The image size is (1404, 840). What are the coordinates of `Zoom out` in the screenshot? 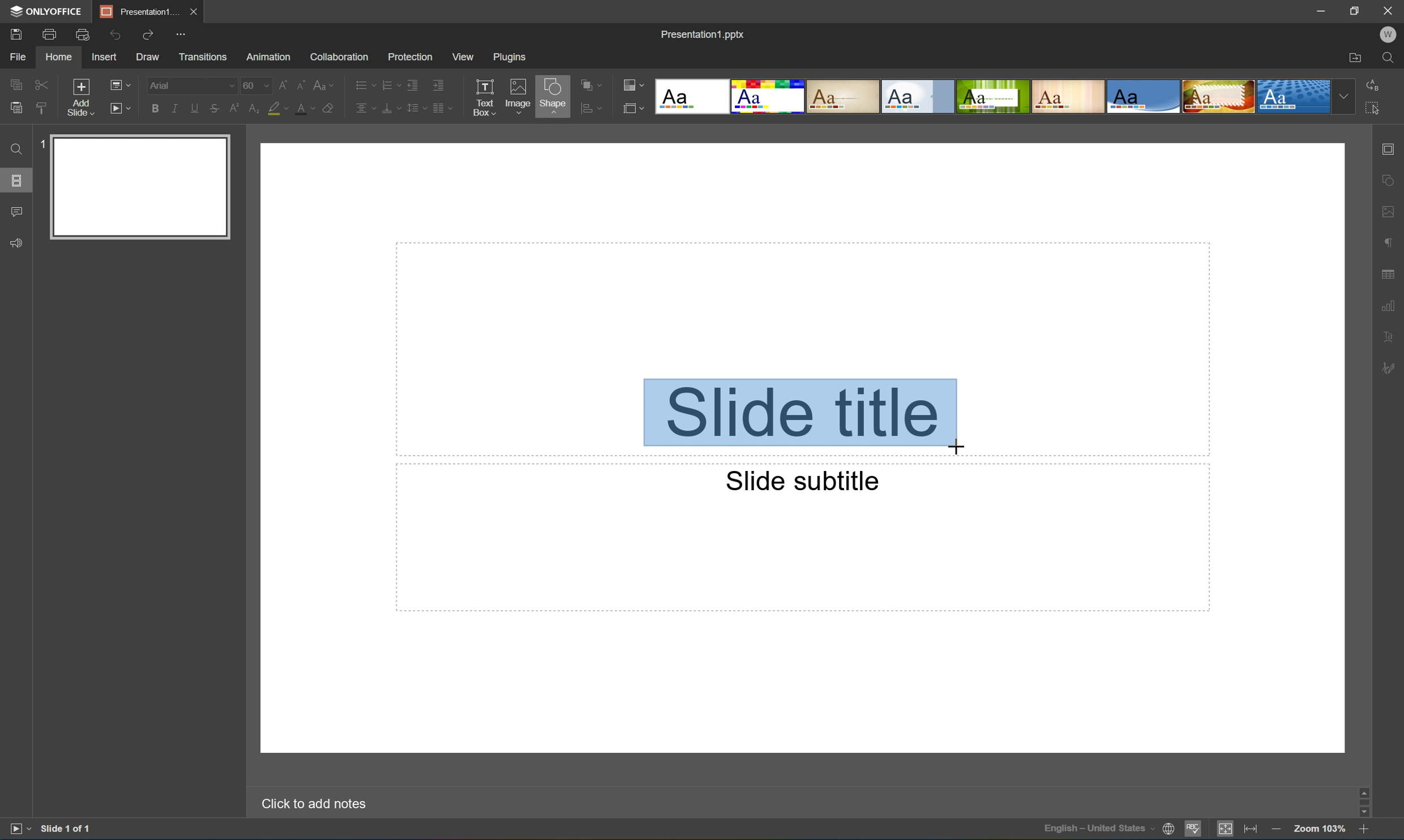 It's located at (1275, 829).